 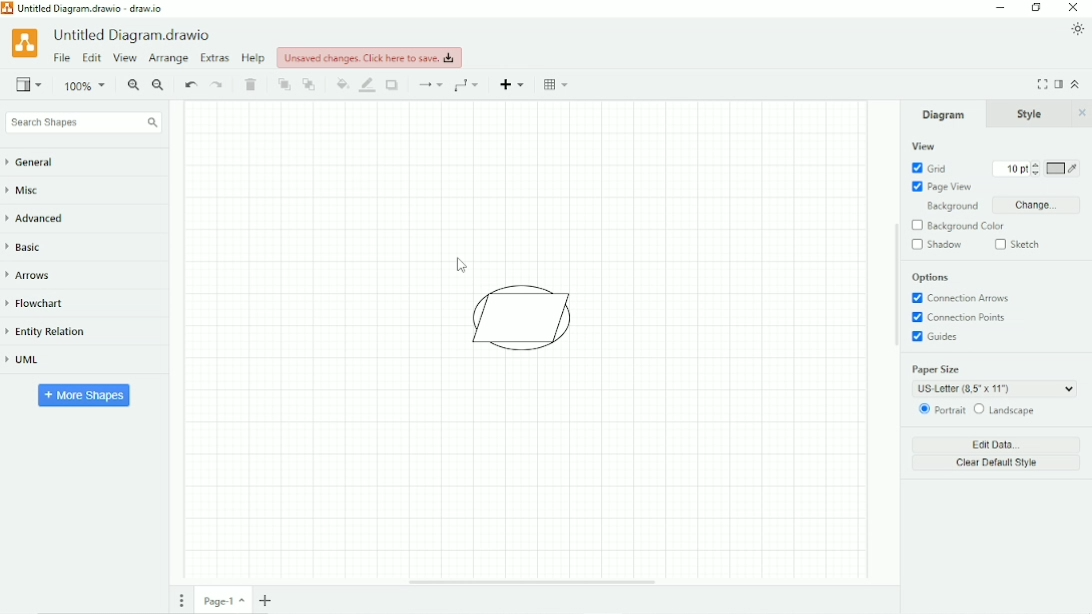 I want to click on To front, so click(x=284, y=85).